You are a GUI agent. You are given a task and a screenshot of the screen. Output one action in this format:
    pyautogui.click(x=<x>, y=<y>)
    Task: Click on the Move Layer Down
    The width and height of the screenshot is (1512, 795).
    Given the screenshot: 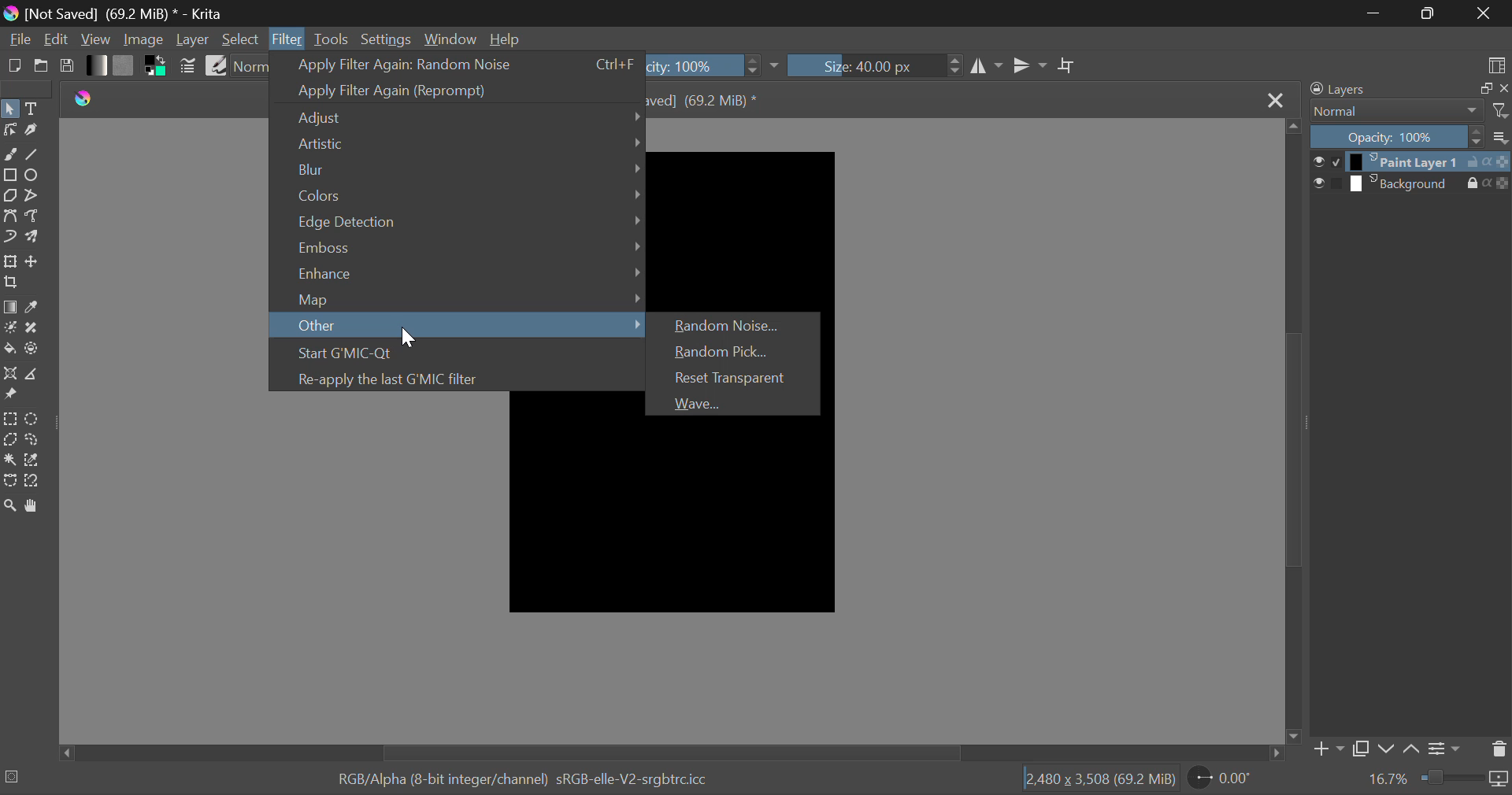 What is the action you would take?
    pyautogui.click(x=1388, y=747)
    